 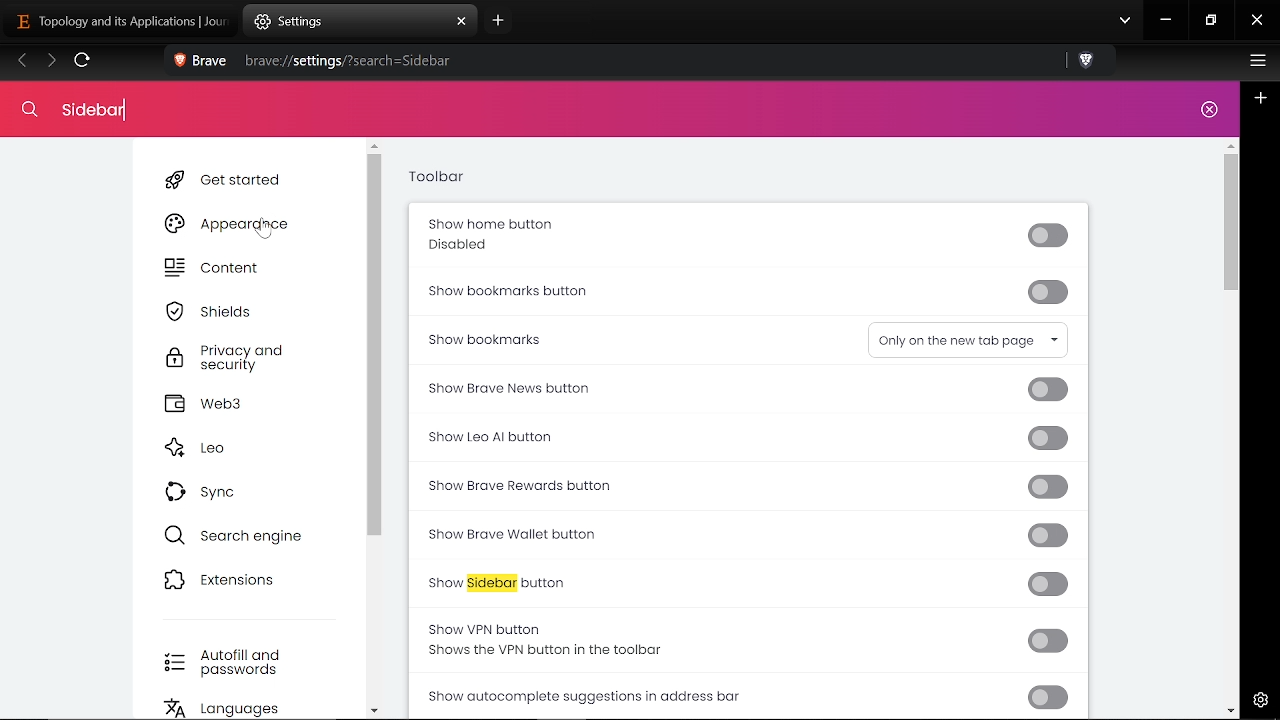 I want to click on Search engine, so click(x=236, y=535).